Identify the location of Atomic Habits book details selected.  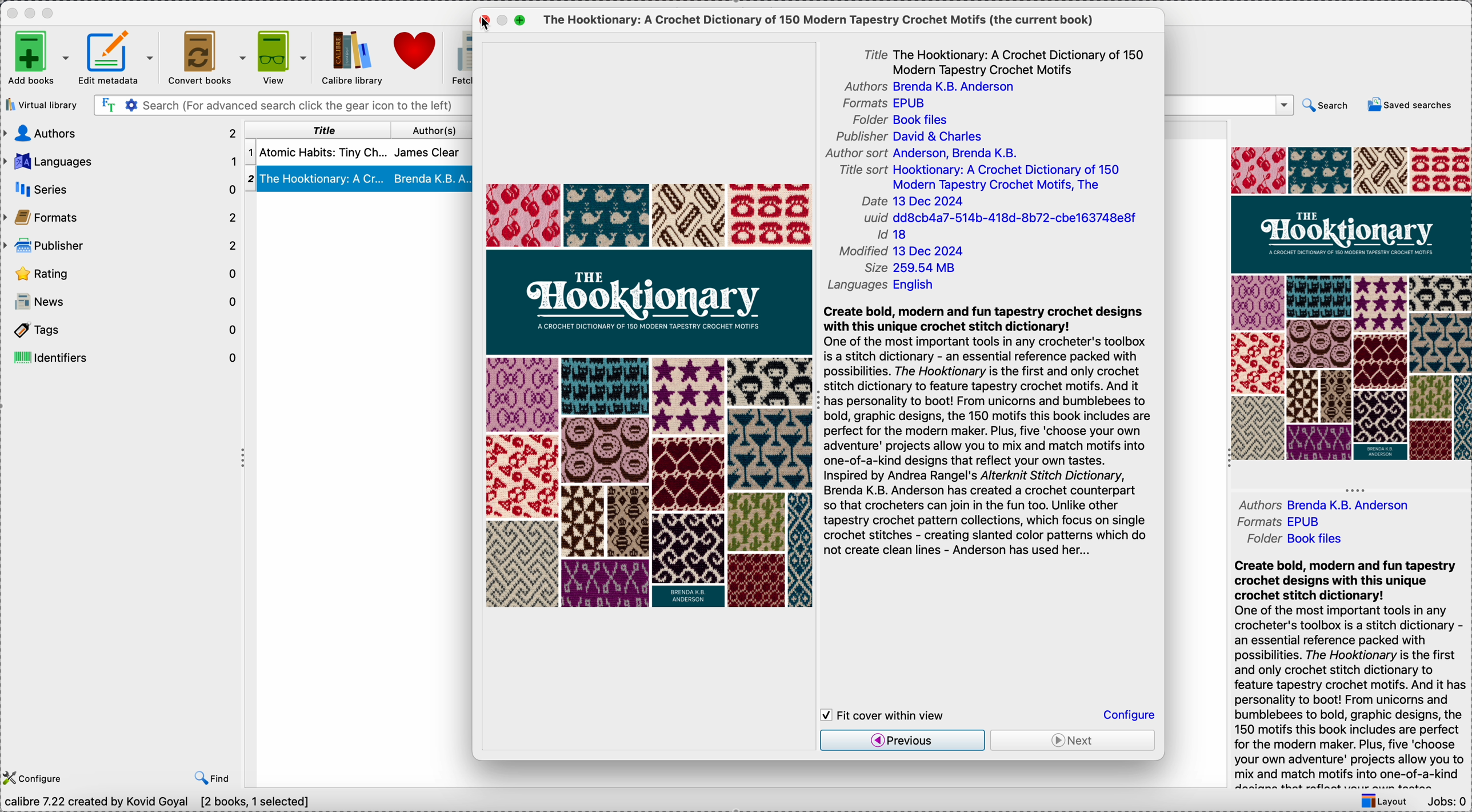
(360, 153).